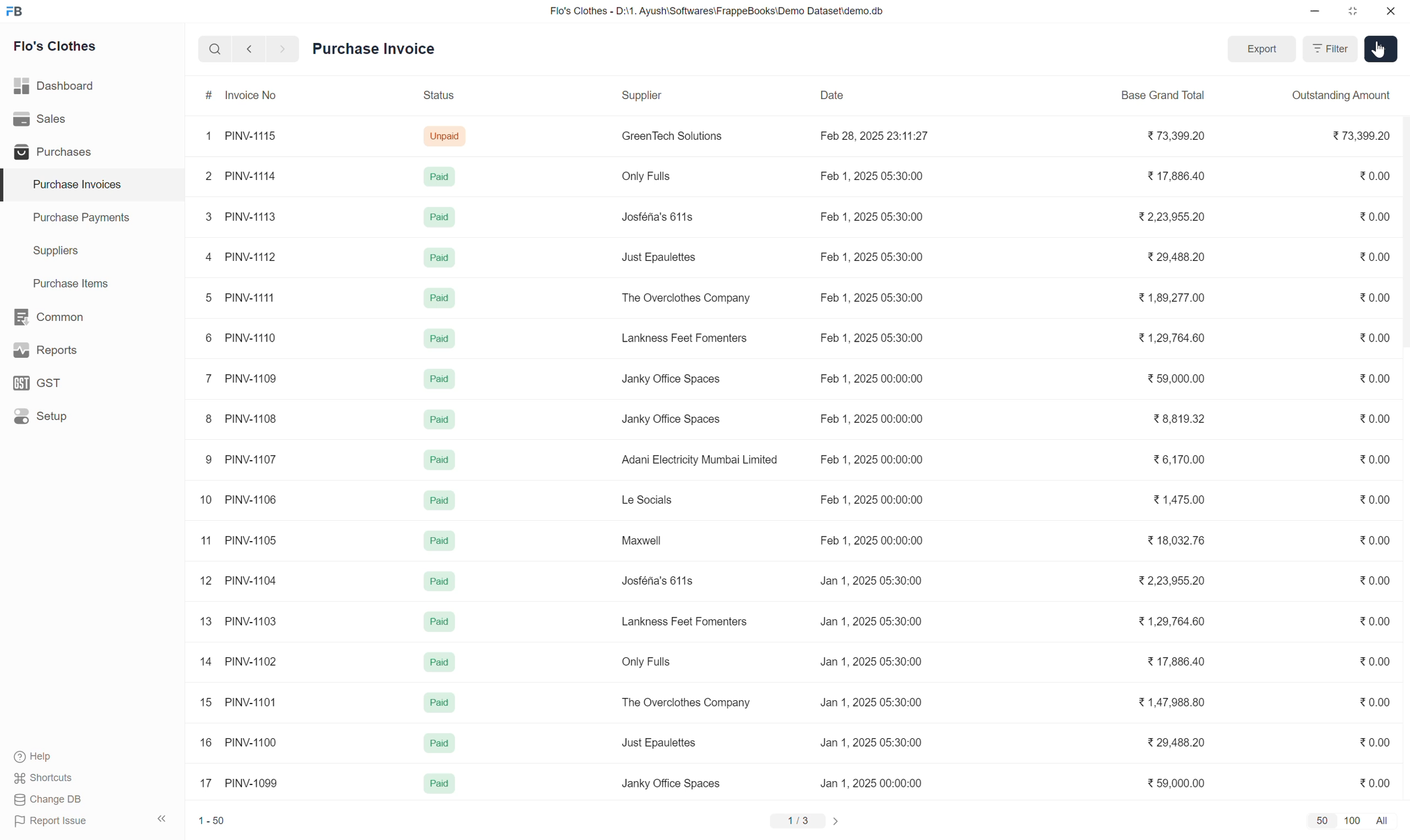  What do you see at coordinates (1182, 743) in the screenshot?
I see `29,488.20` at bounding box center [1182, 743].